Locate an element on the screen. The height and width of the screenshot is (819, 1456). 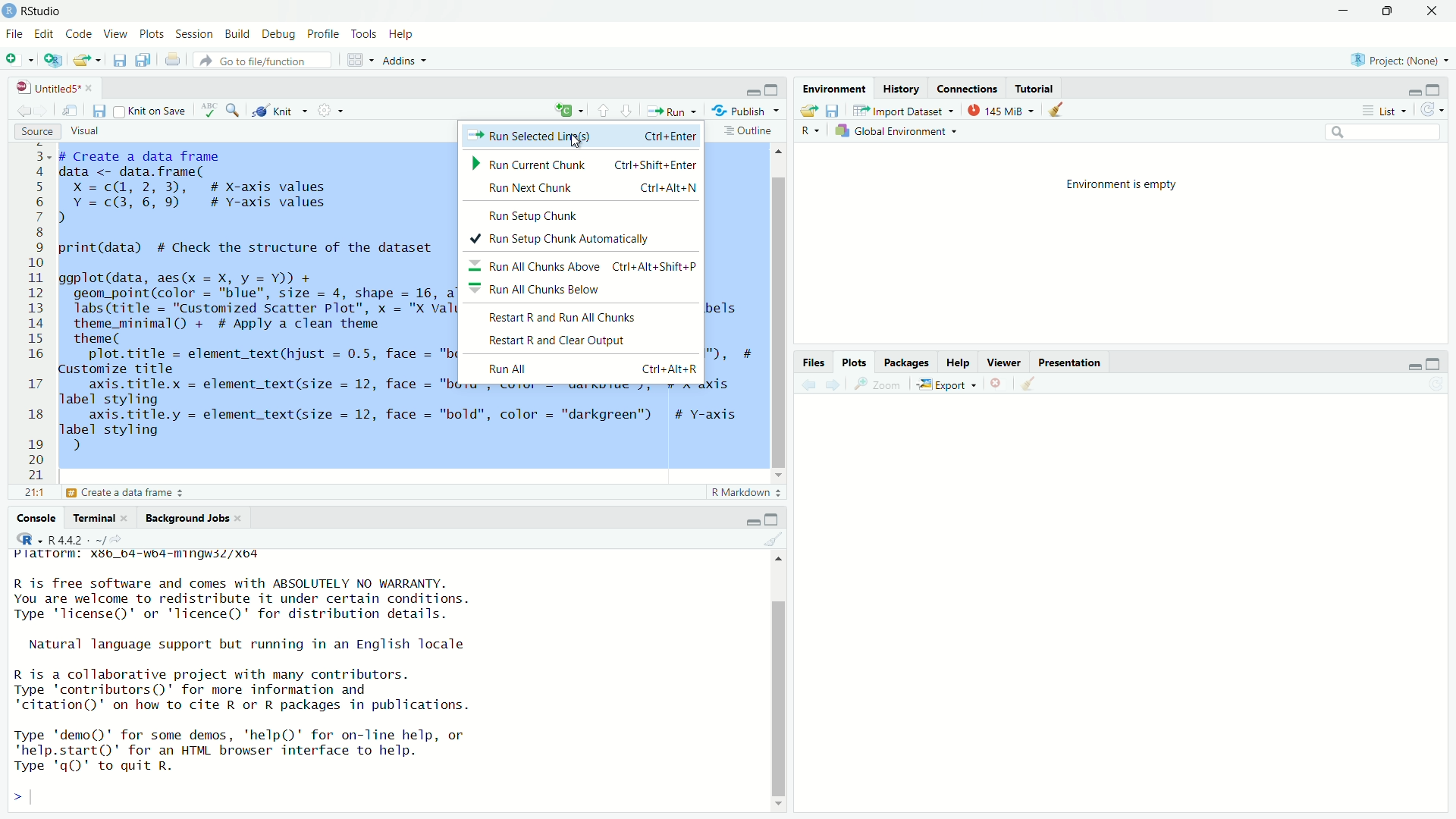
Create a data frame is located at coordinates (130, 494).